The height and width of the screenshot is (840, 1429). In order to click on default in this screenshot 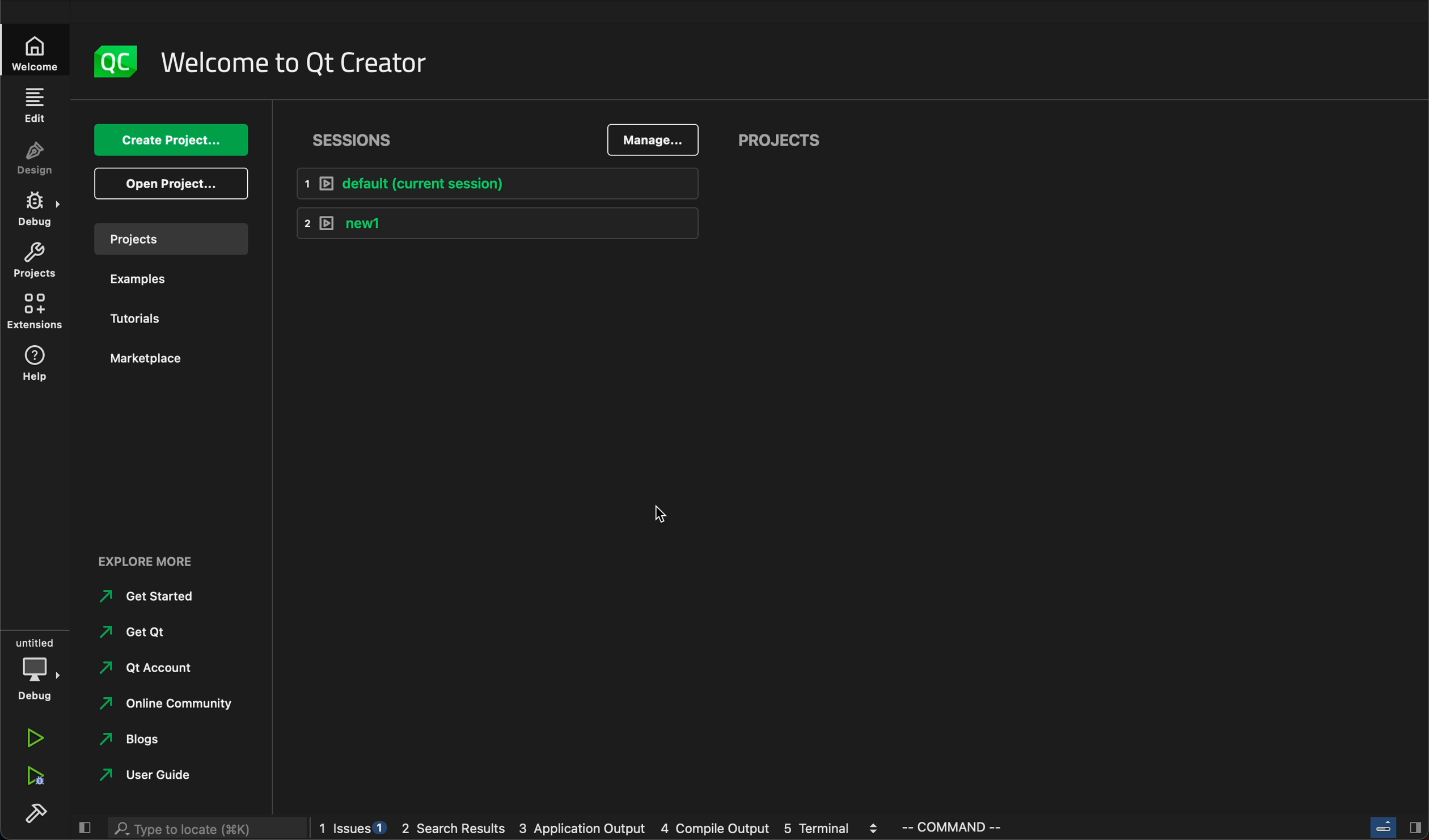, I will do `click(508, 183)`.